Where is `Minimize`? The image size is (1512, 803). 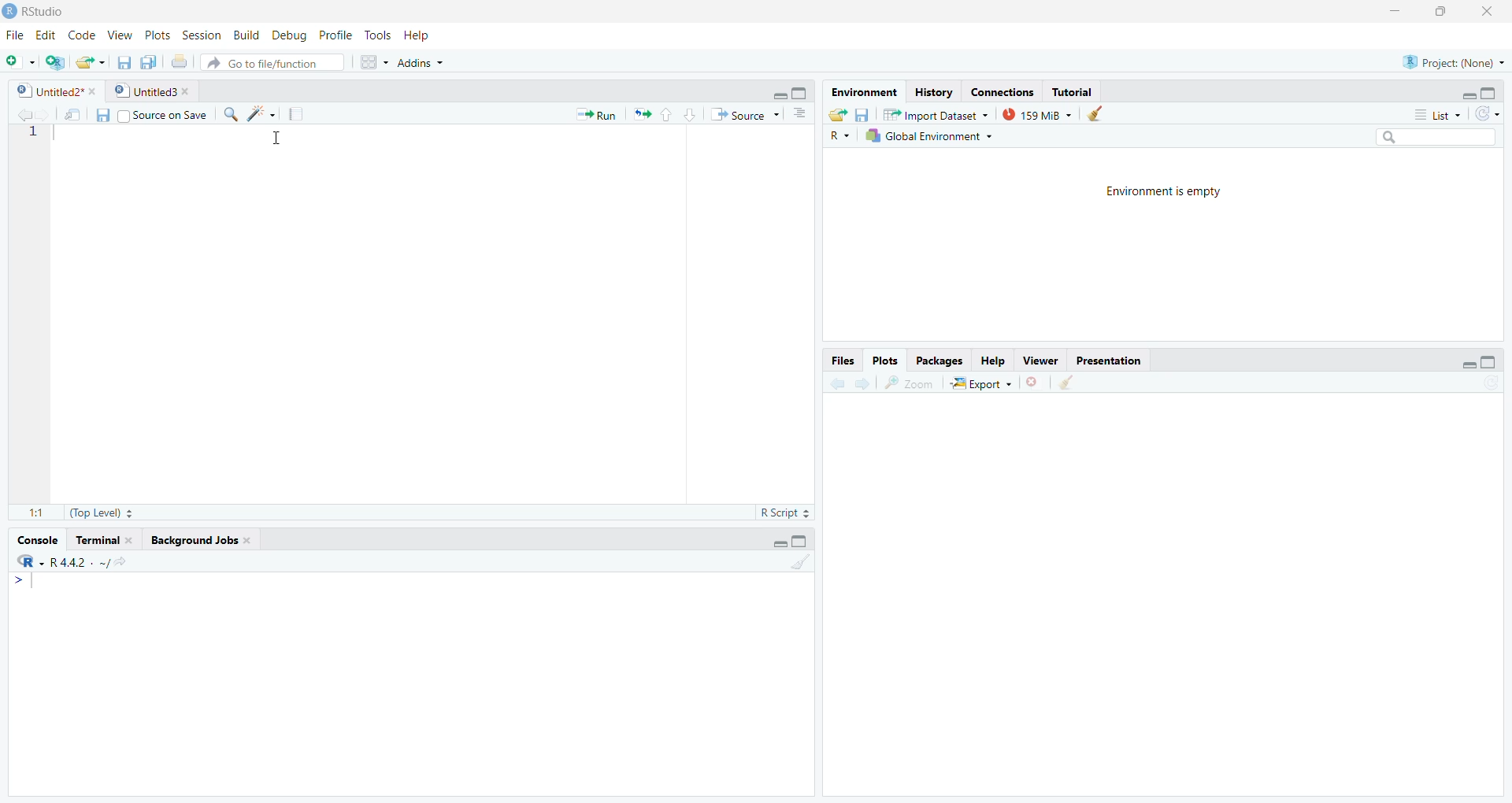 Minimize is located at coordinates (776, 542).